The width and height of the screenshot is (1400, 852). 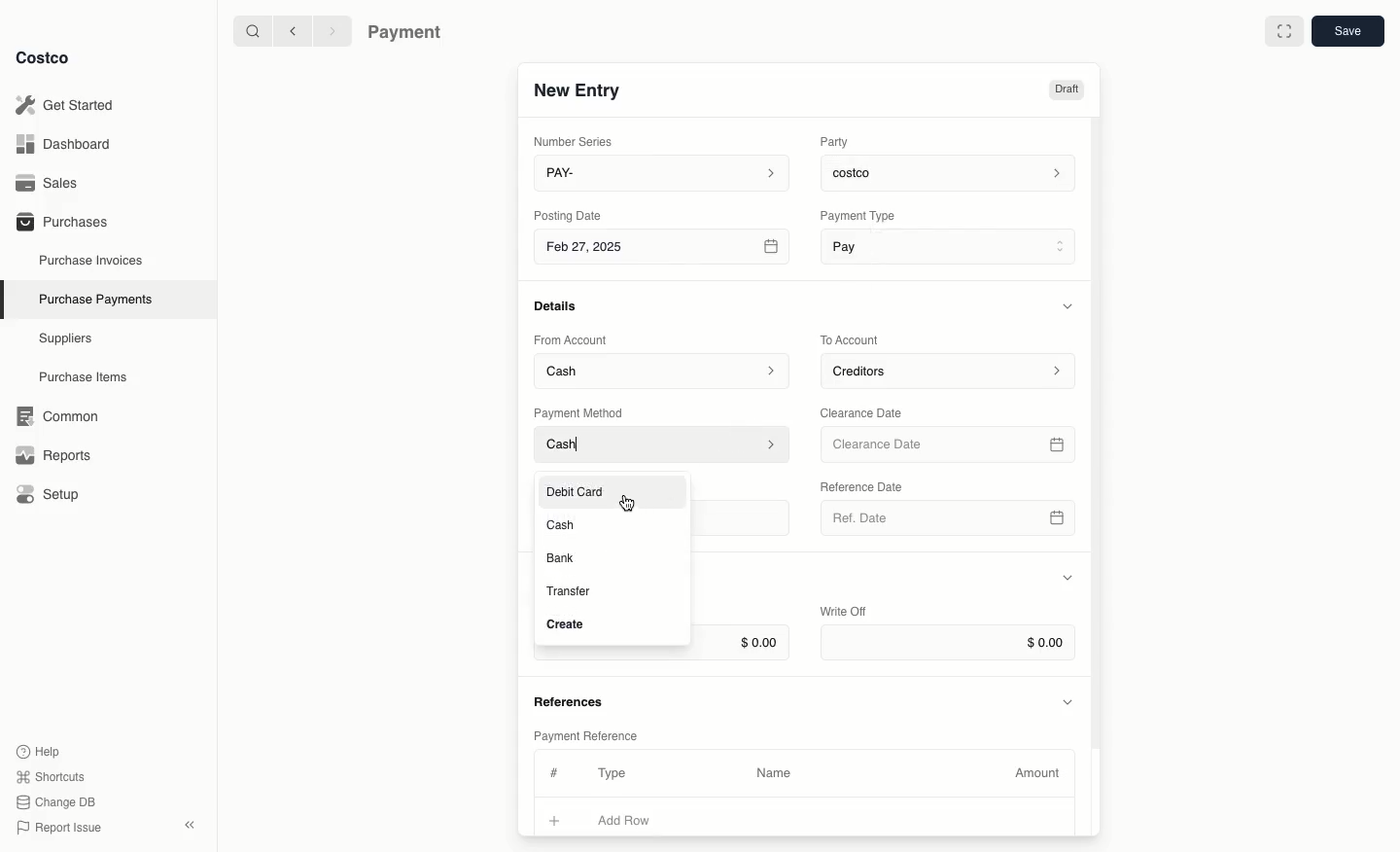 I want to click on ‘Common, so click(x=61, y=413).